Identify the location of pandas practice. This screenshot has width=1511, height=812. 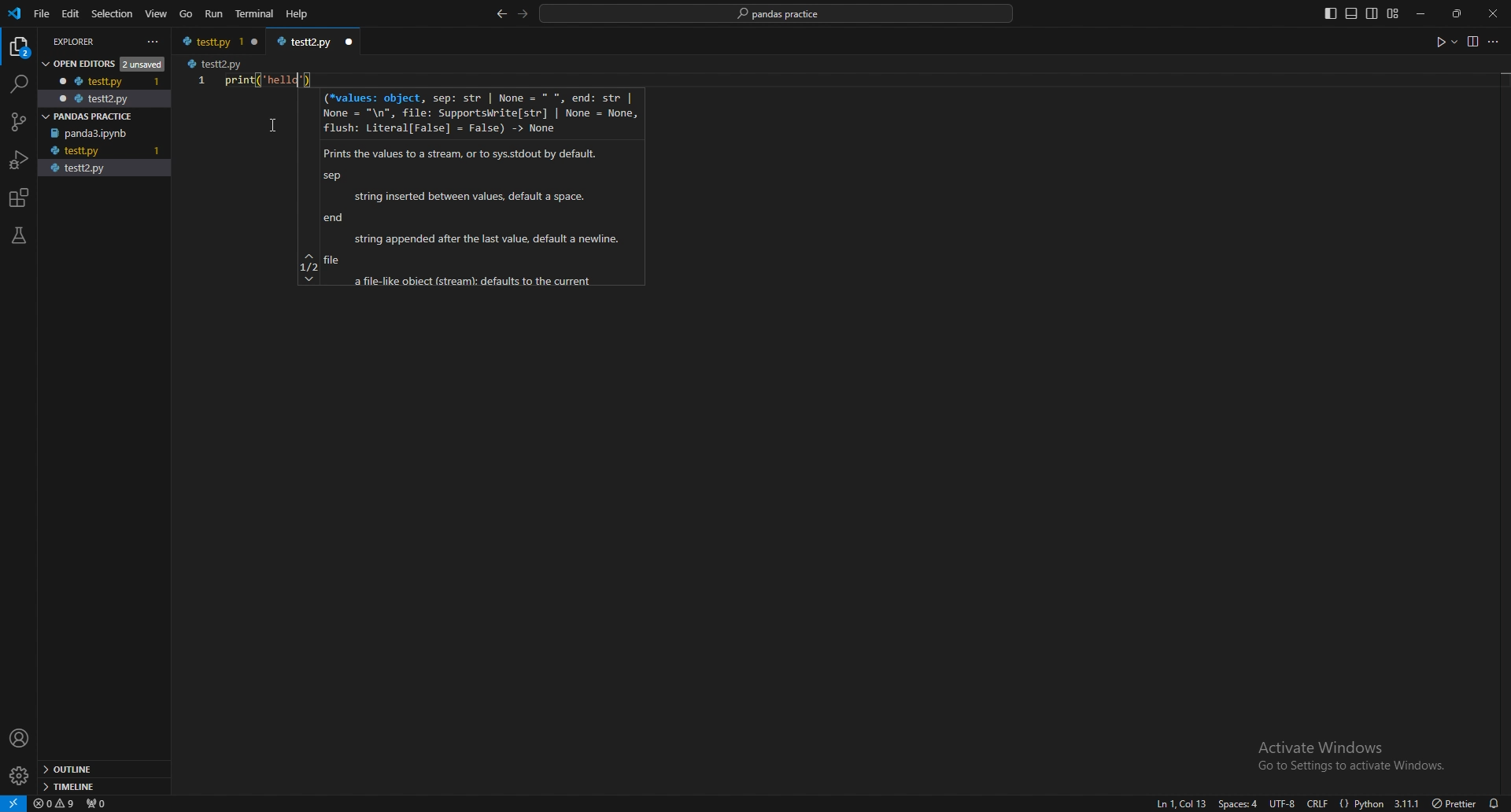
(778, 14).